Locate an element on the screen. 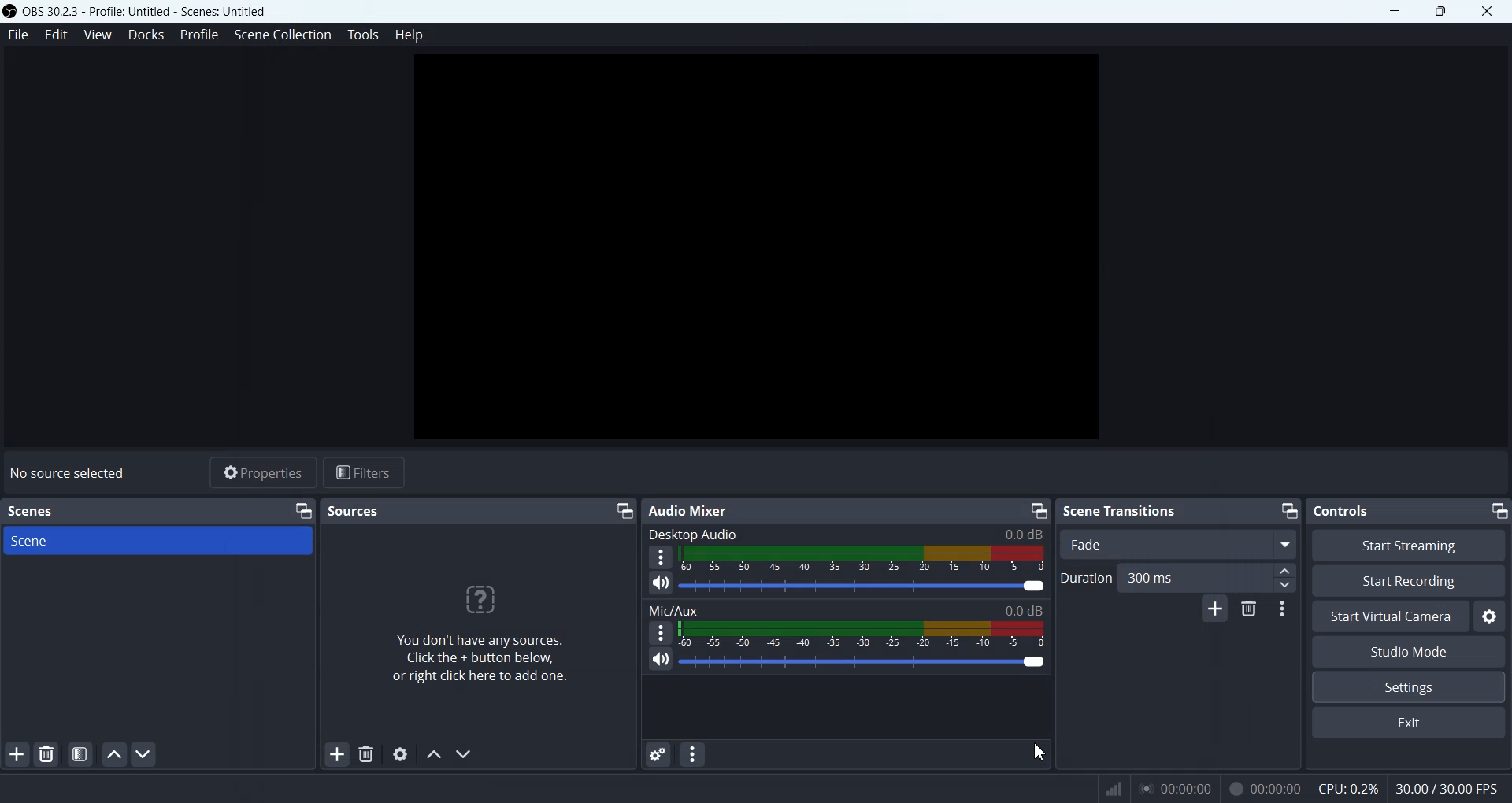 The image size is (1512, 803). Start Streaming is located at coordinates (1407, 545).